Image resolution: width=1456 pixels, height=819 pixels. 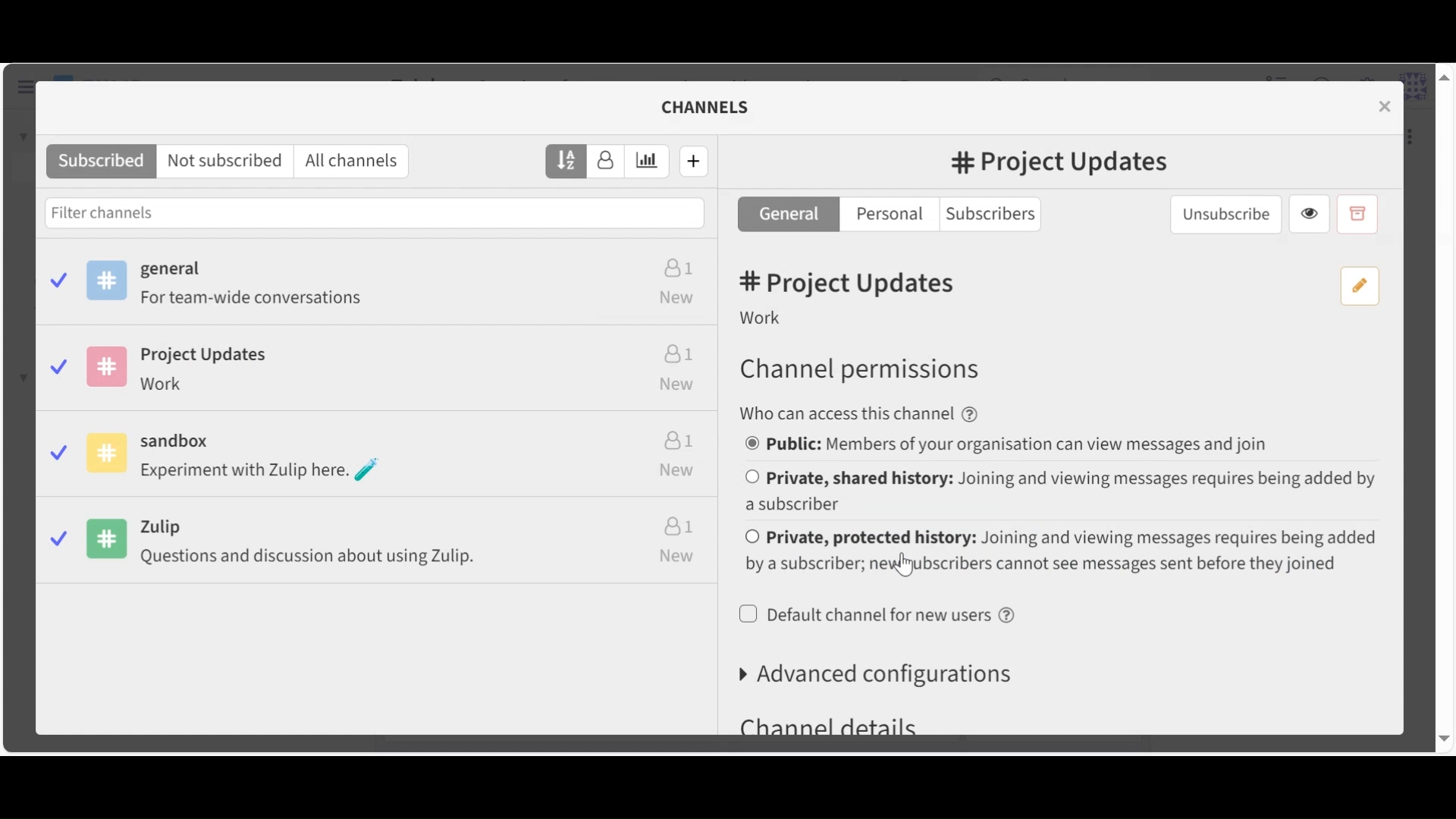 I want to click on Unsubscribe, so click(x=1236, y=214).